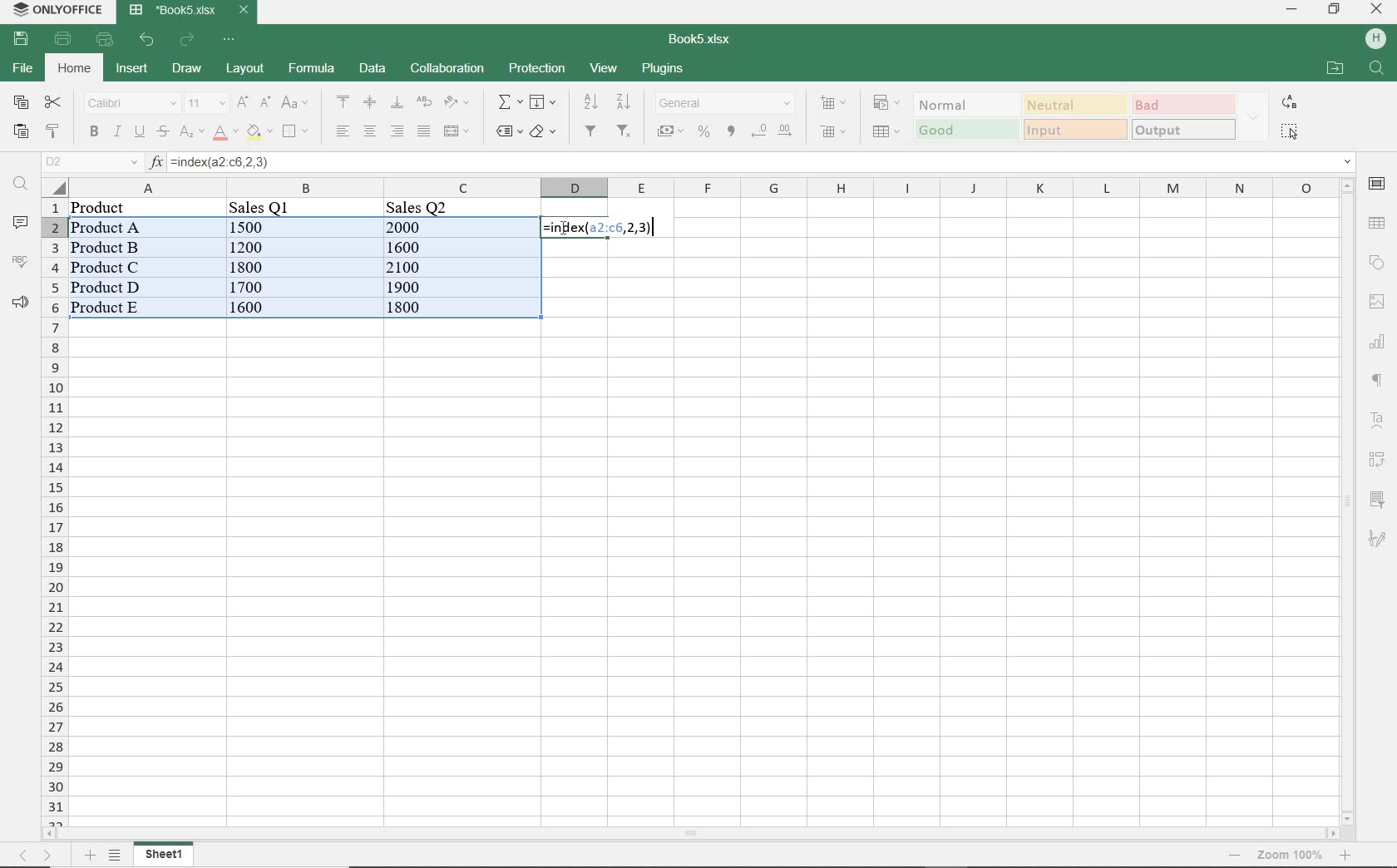 The height and width of the screenshot is (868, 1397). What do you see at coordinates (670, 131) in the screenshot?
I see `accounting style` at bounding box center [670, 131].